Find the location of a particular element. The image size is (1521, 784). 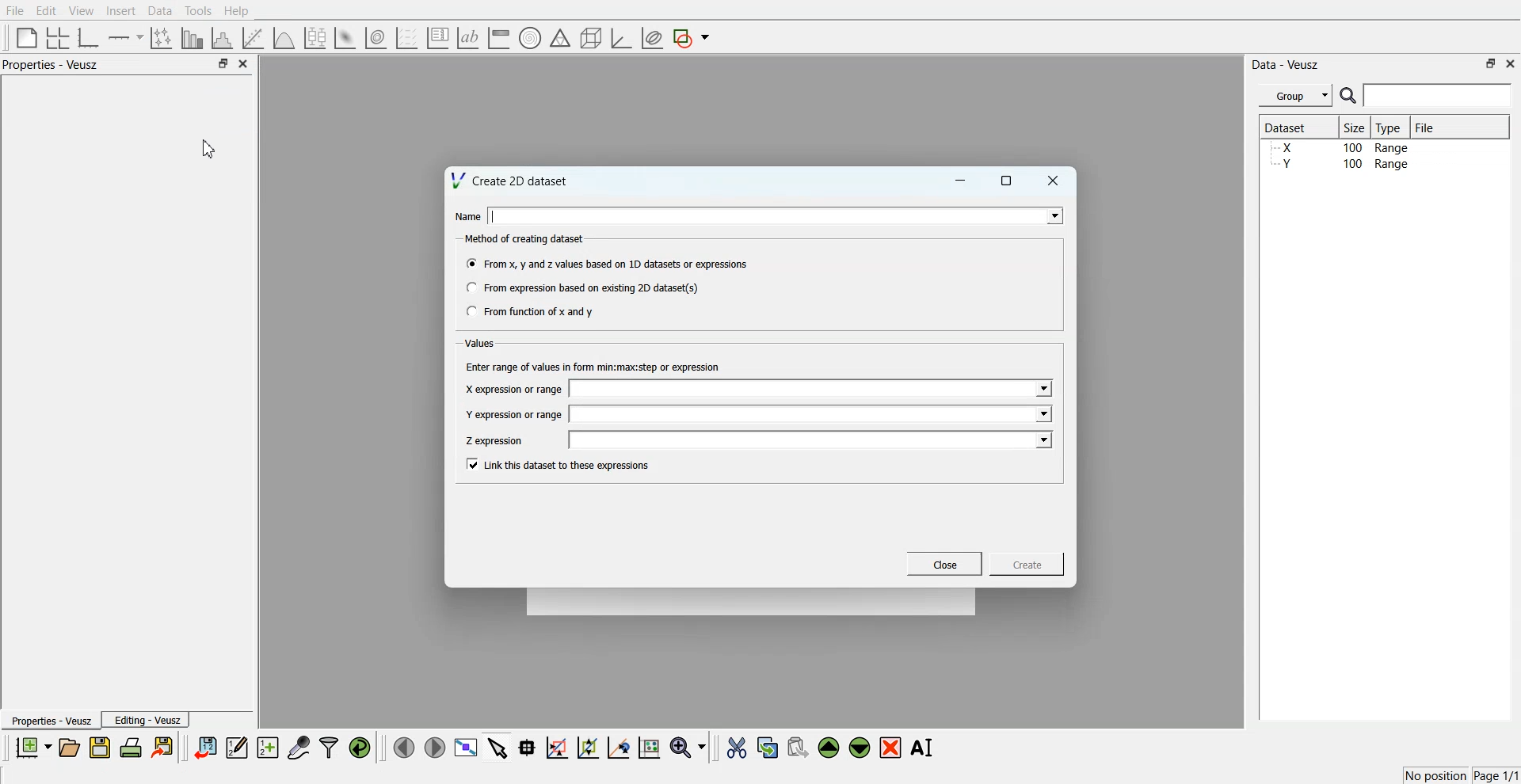

3D Scene is located at coordinates (592, 39).